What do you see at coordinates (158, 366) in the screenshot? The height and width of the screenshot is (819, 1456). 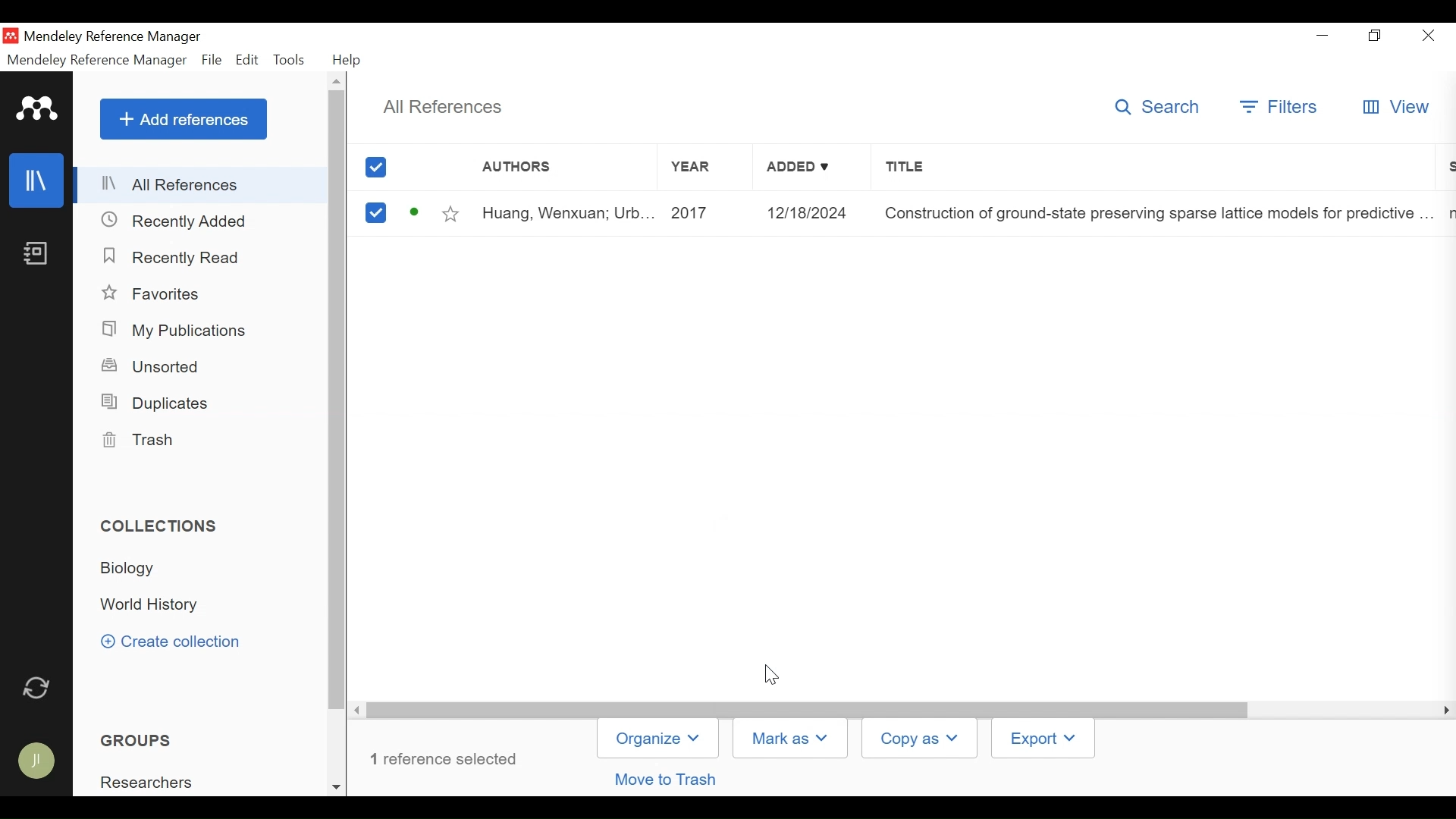 I see `Unsorted` at bounding box center [158, 366].